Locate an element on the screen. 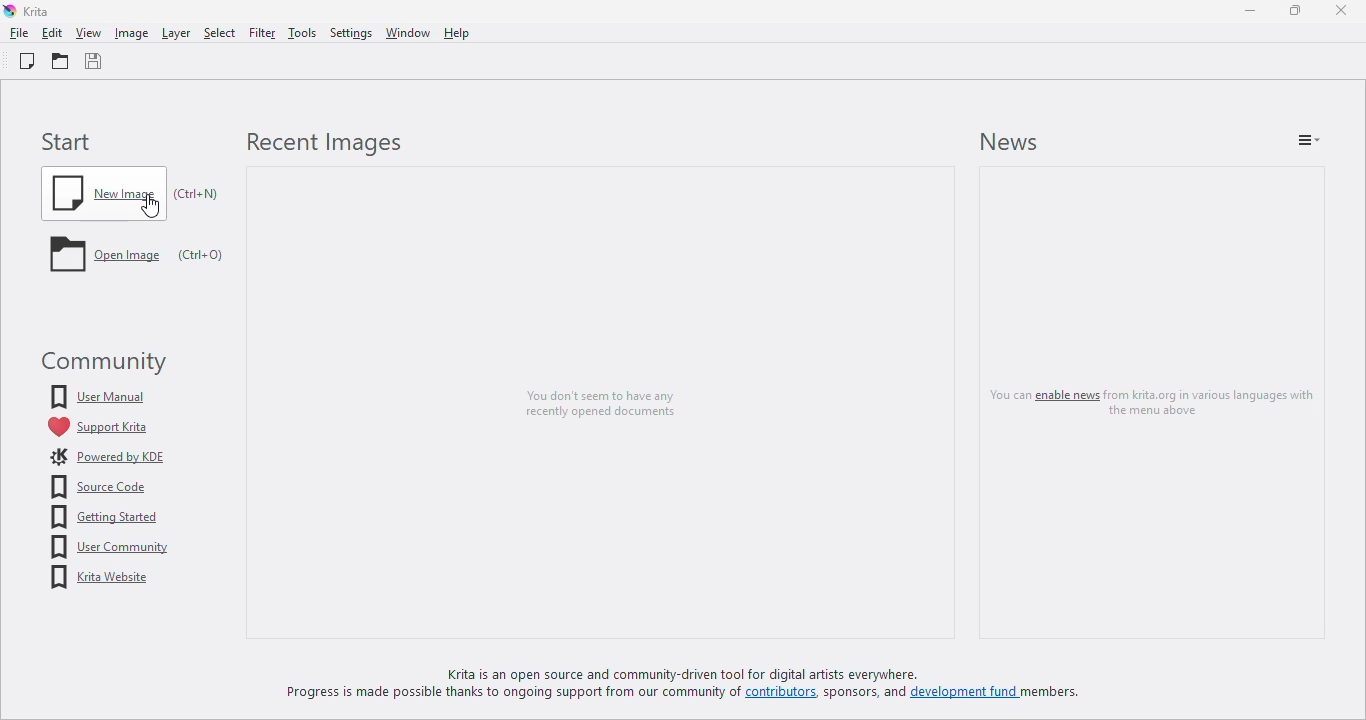 The height and width of the screenshot is (720, 1366). window is located at coordinates (406, 33).